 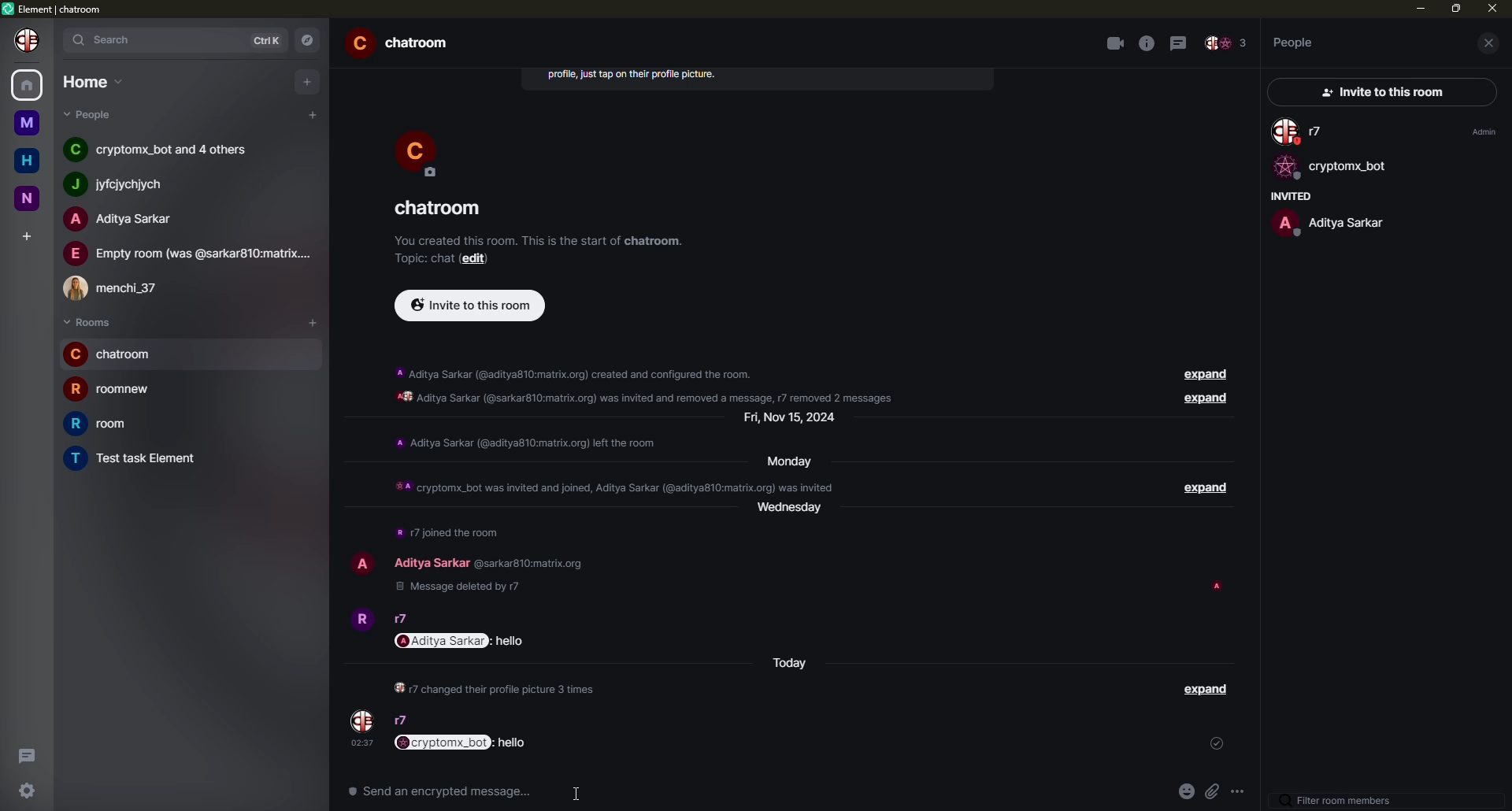 What do you see at coordinates (363, 721) in the screenshot?
I see `profile` at bounding box center [363, 721].